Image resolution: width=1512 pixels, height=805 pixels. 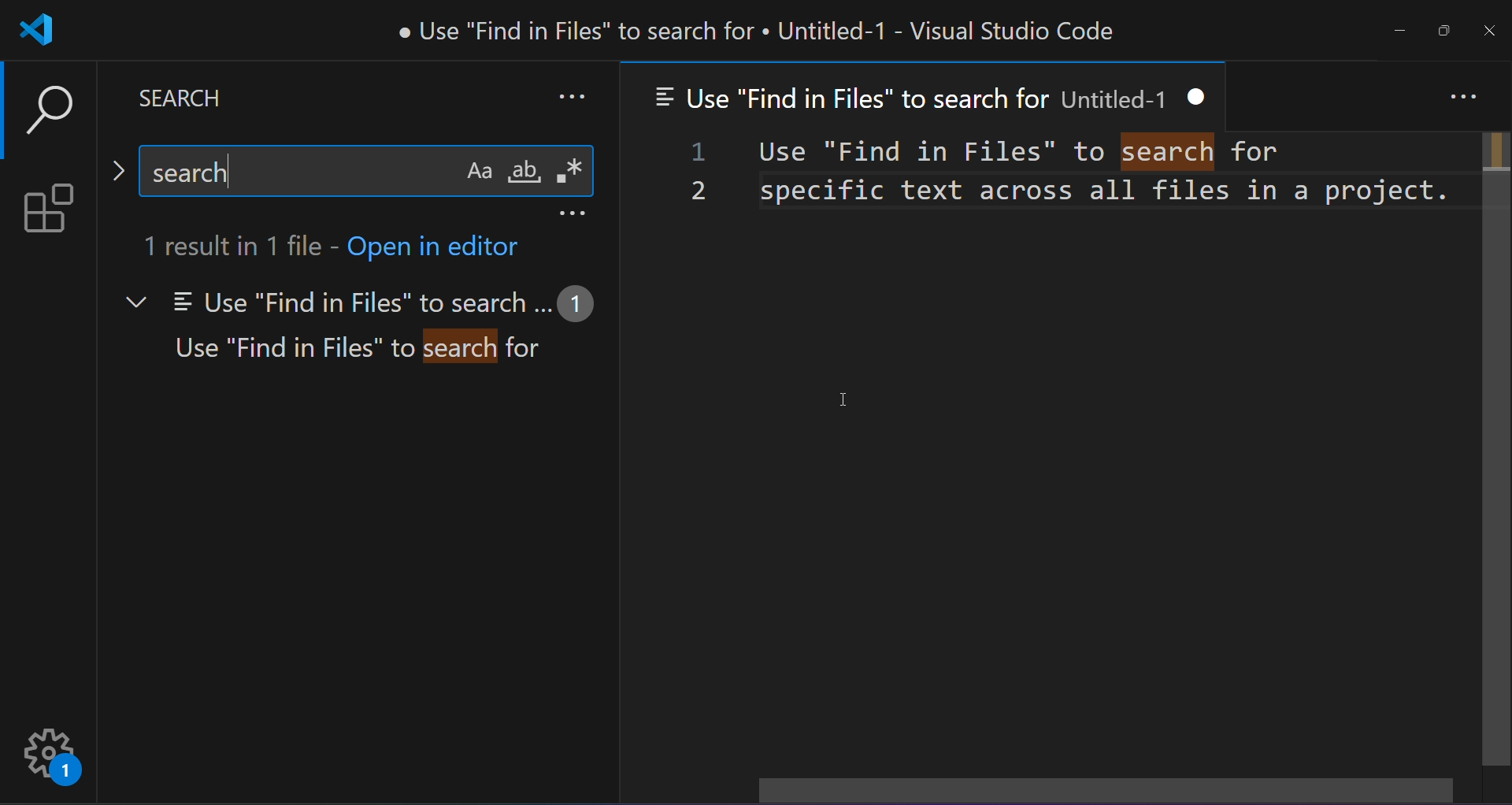 I want to click on Use "find in files' to, so click(x=923, y=150).